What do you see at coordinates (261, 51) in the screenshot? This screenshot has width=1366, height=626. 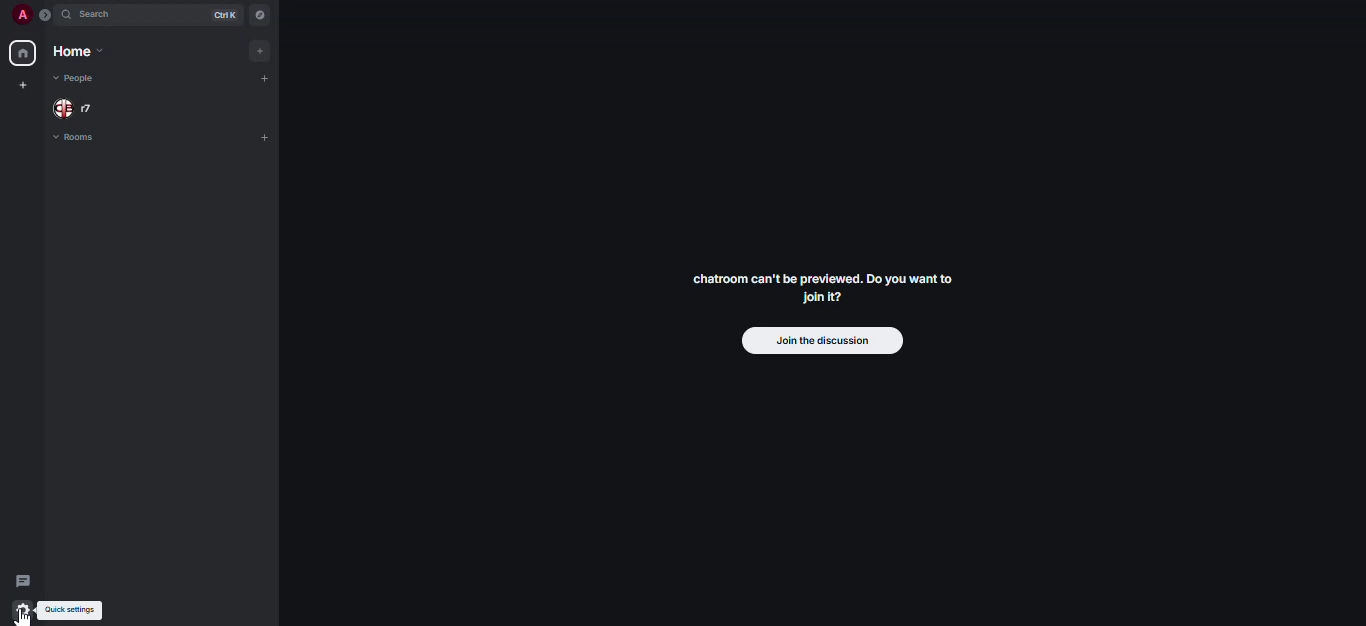 I see `add` at bounding box center [261, 51].